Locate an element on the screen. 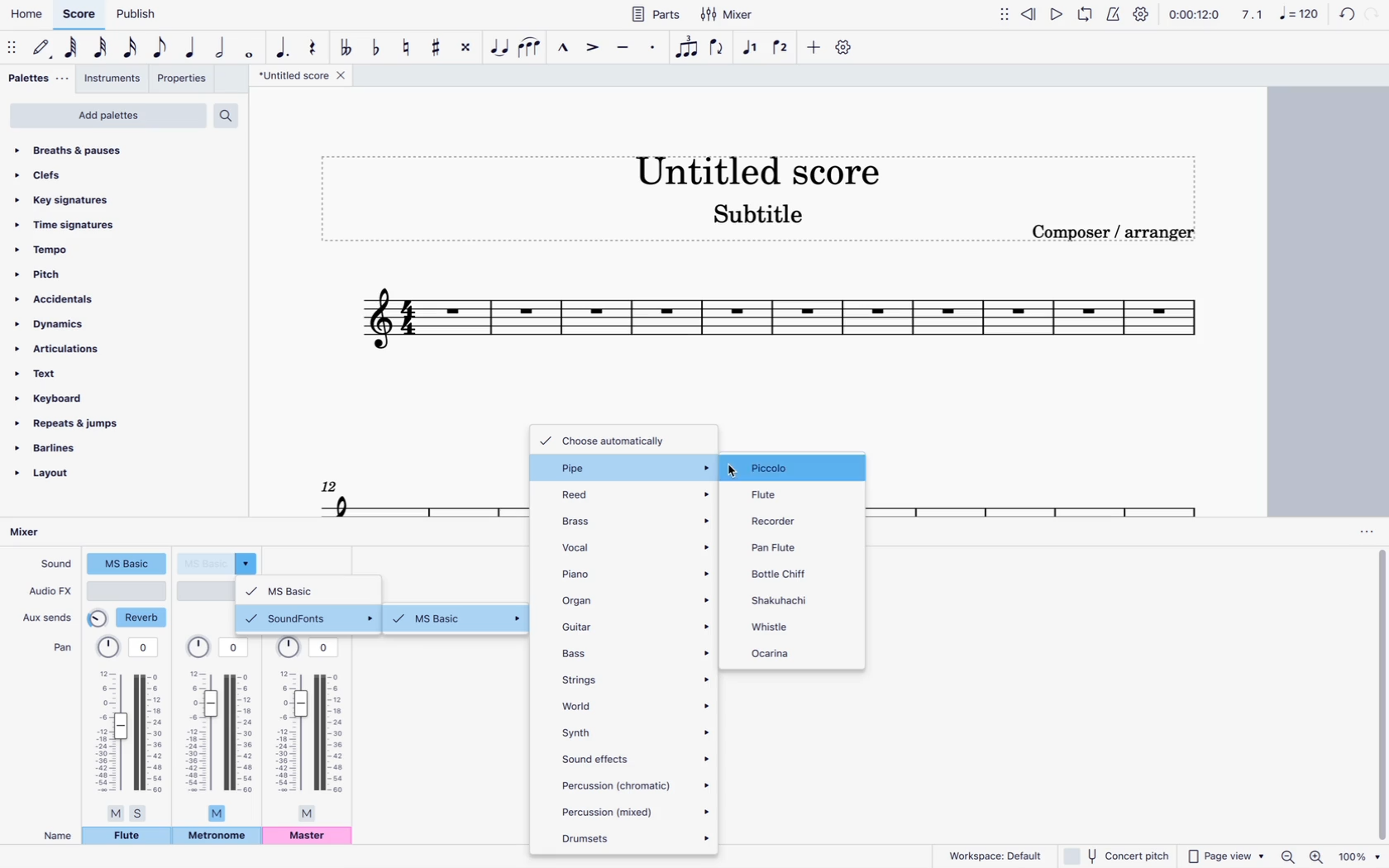  whistle is located at coordinates (794, 625).